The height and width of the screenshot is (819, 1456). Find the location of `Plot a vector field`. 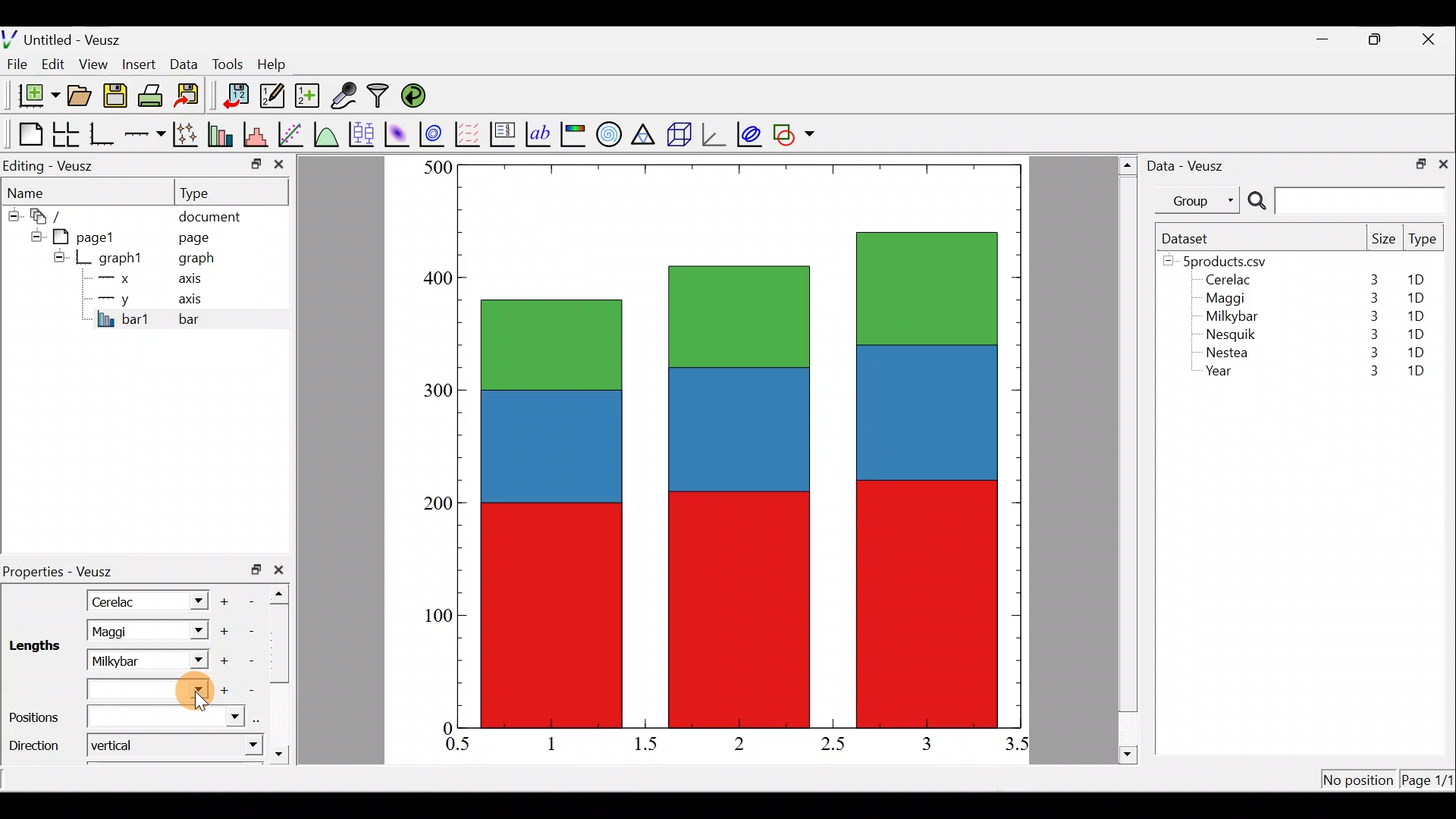

Plot a vector field is located at coordinates (470, 134).